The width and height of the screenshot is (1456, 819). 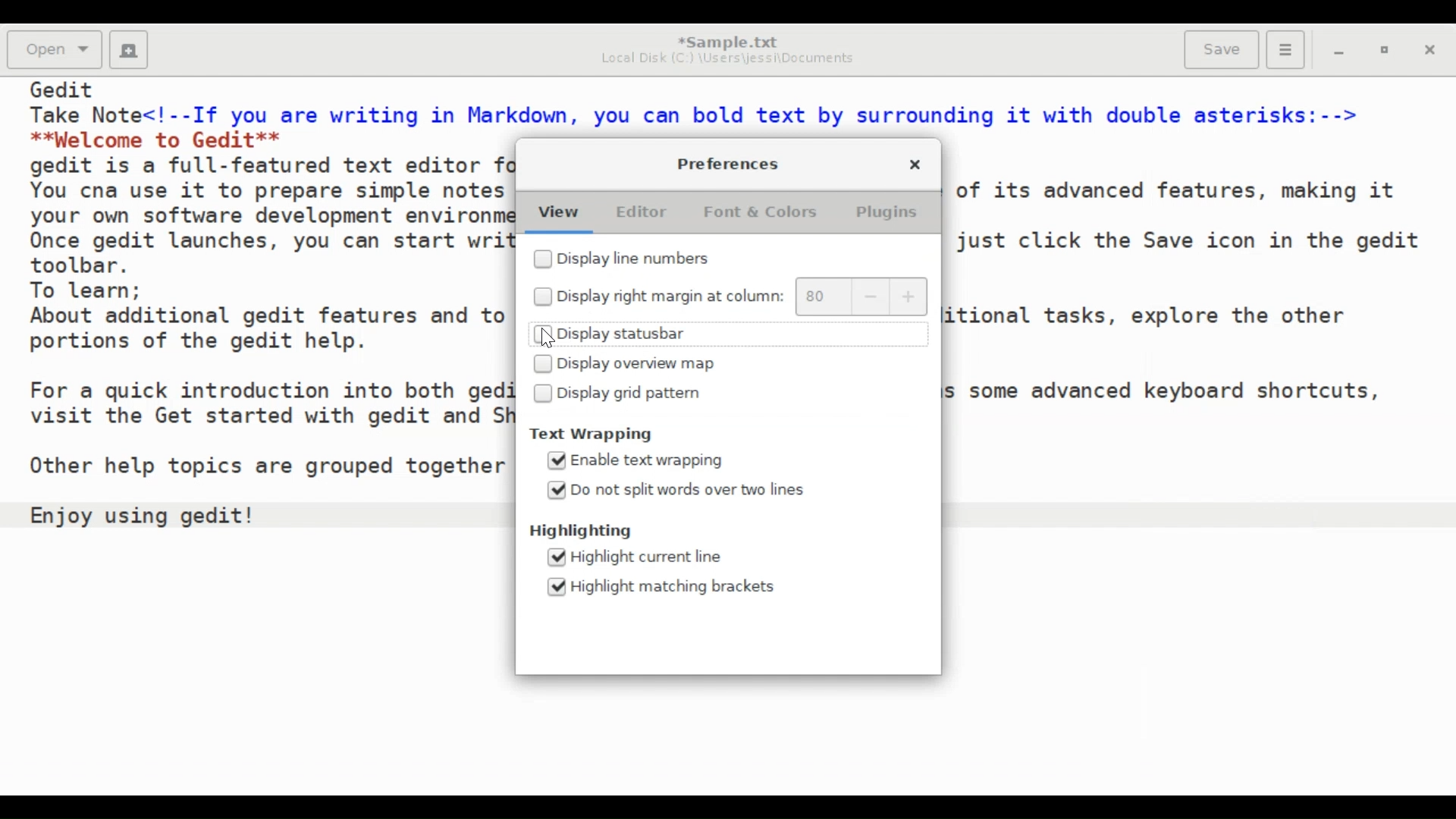 I want to click on restore, so click(x=1385, y=52).